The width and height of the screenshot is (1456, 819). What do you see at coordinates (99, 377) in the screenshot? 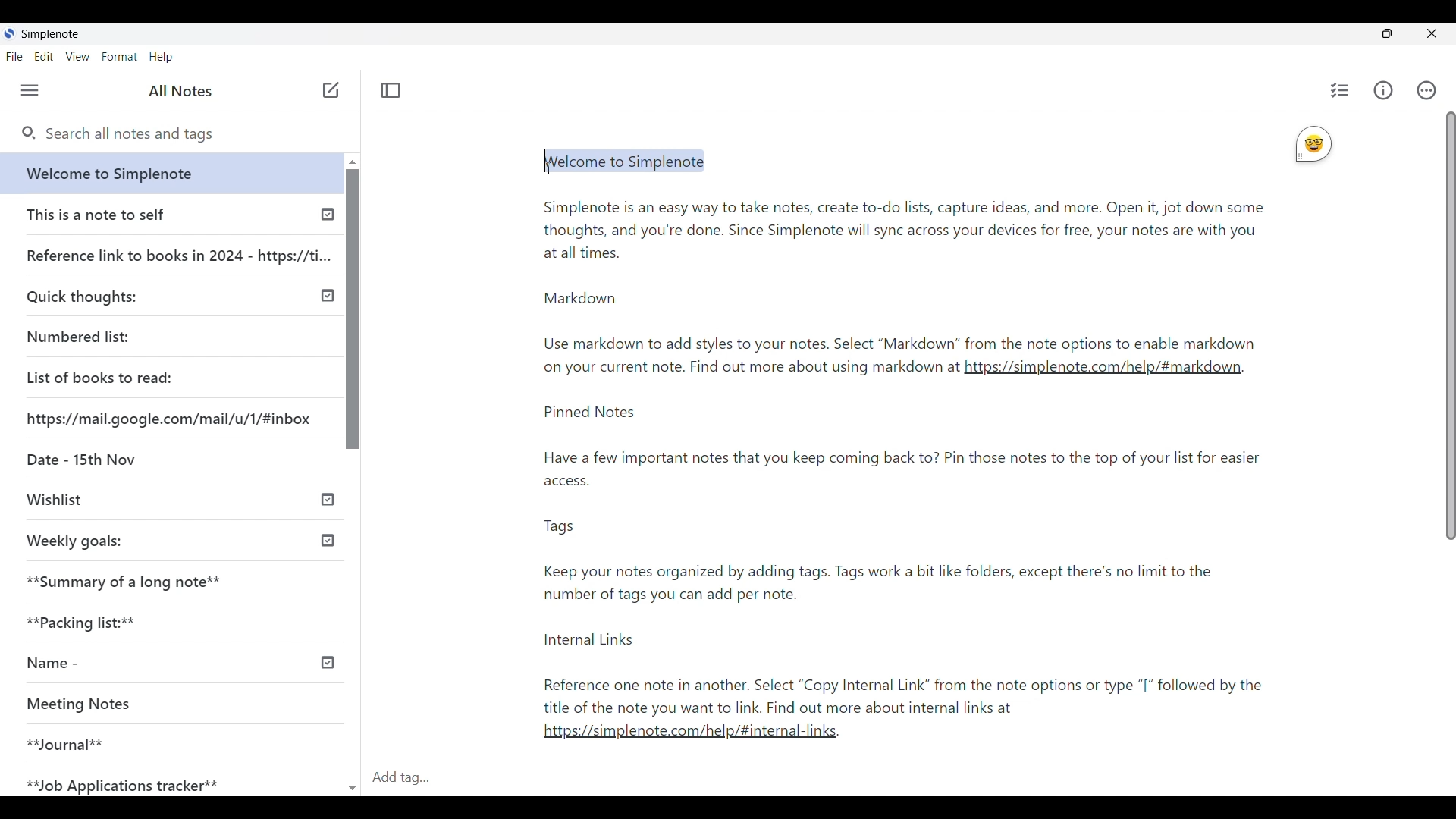
I see `Listen of books to read` at bounding box center [99, 377].